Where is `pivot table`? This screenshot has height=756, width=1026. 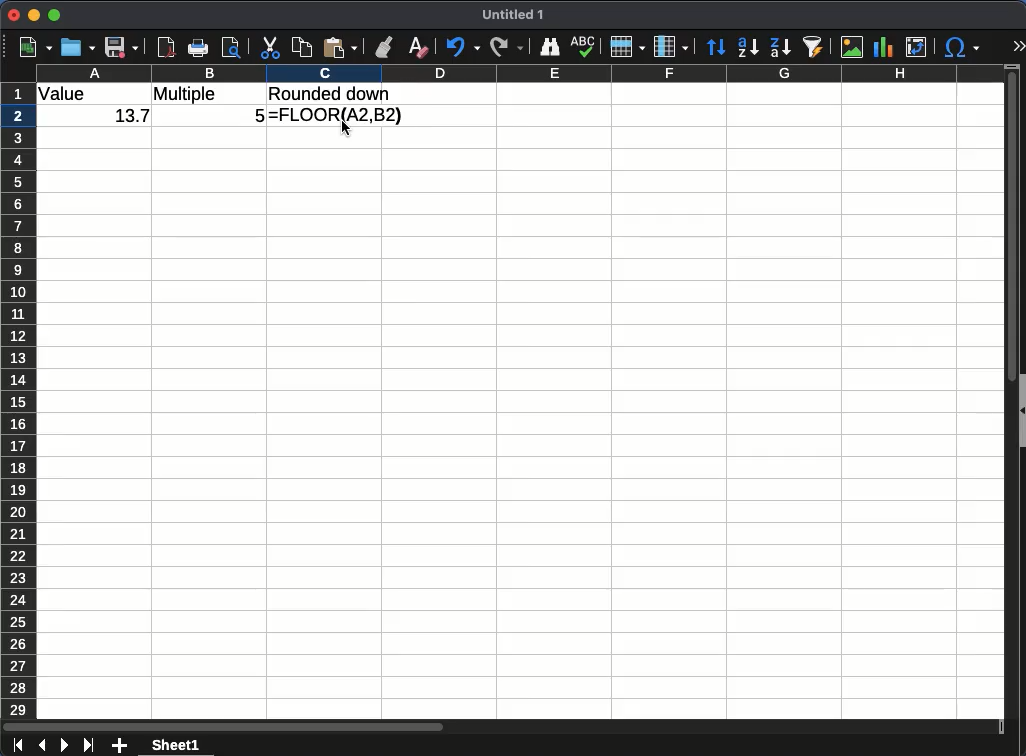 pivot table is located at coordinates (920, 48).